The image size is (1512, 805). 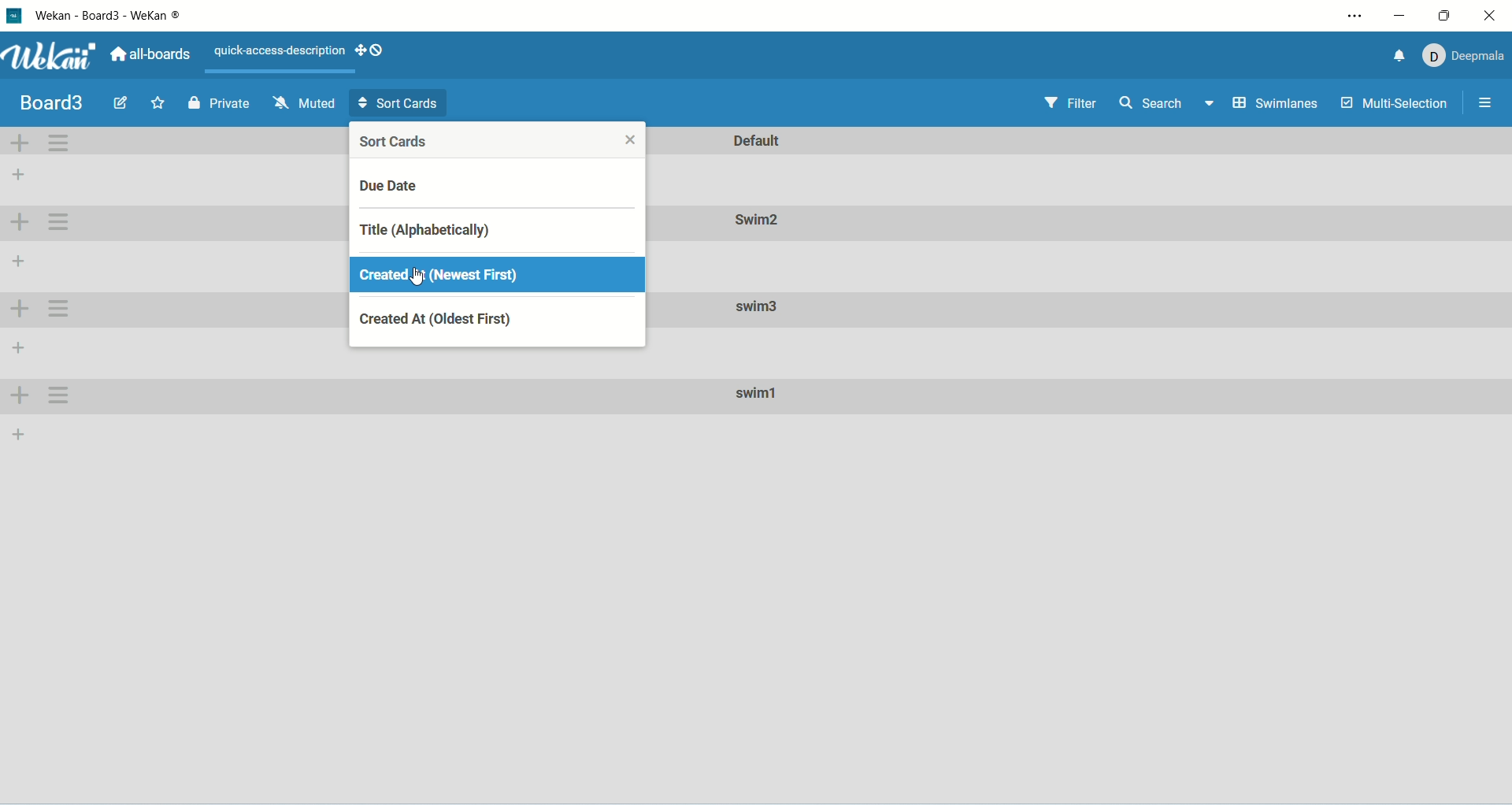 I want to click on due date, so click(x=495, y=183).